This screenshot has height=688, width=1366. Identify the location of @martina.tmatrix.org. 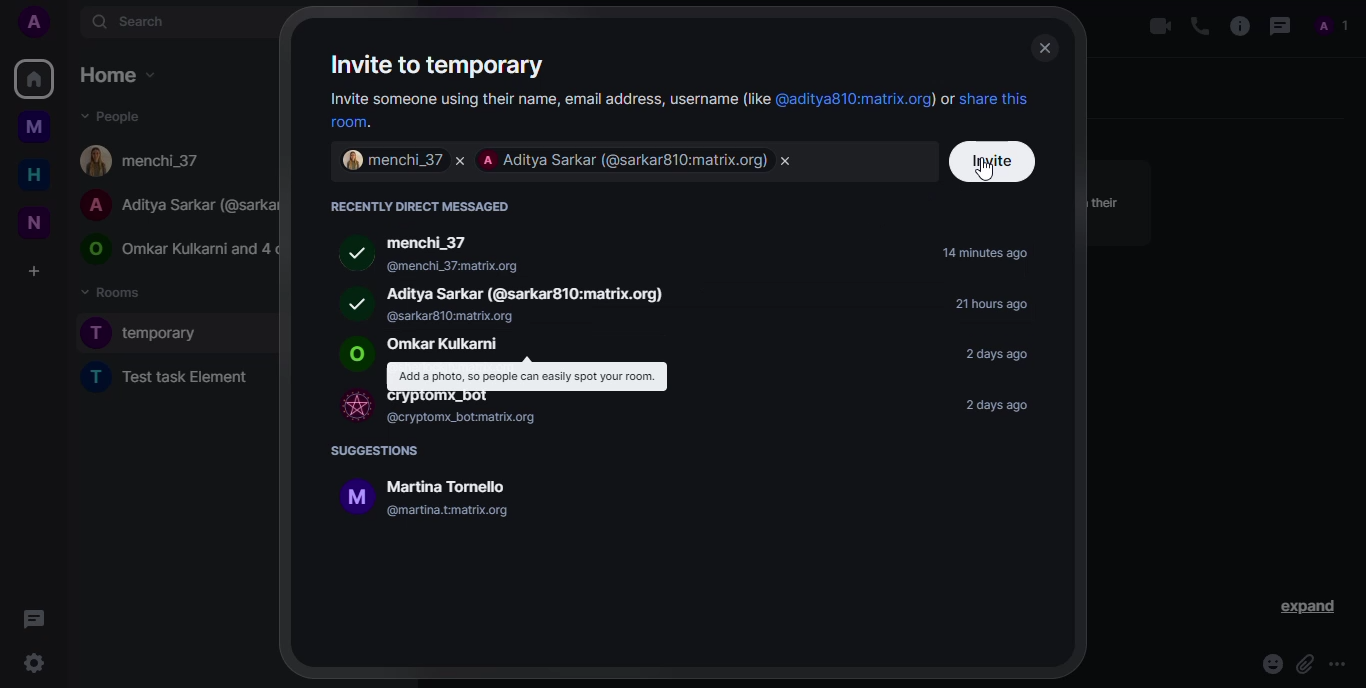
(449, 510).